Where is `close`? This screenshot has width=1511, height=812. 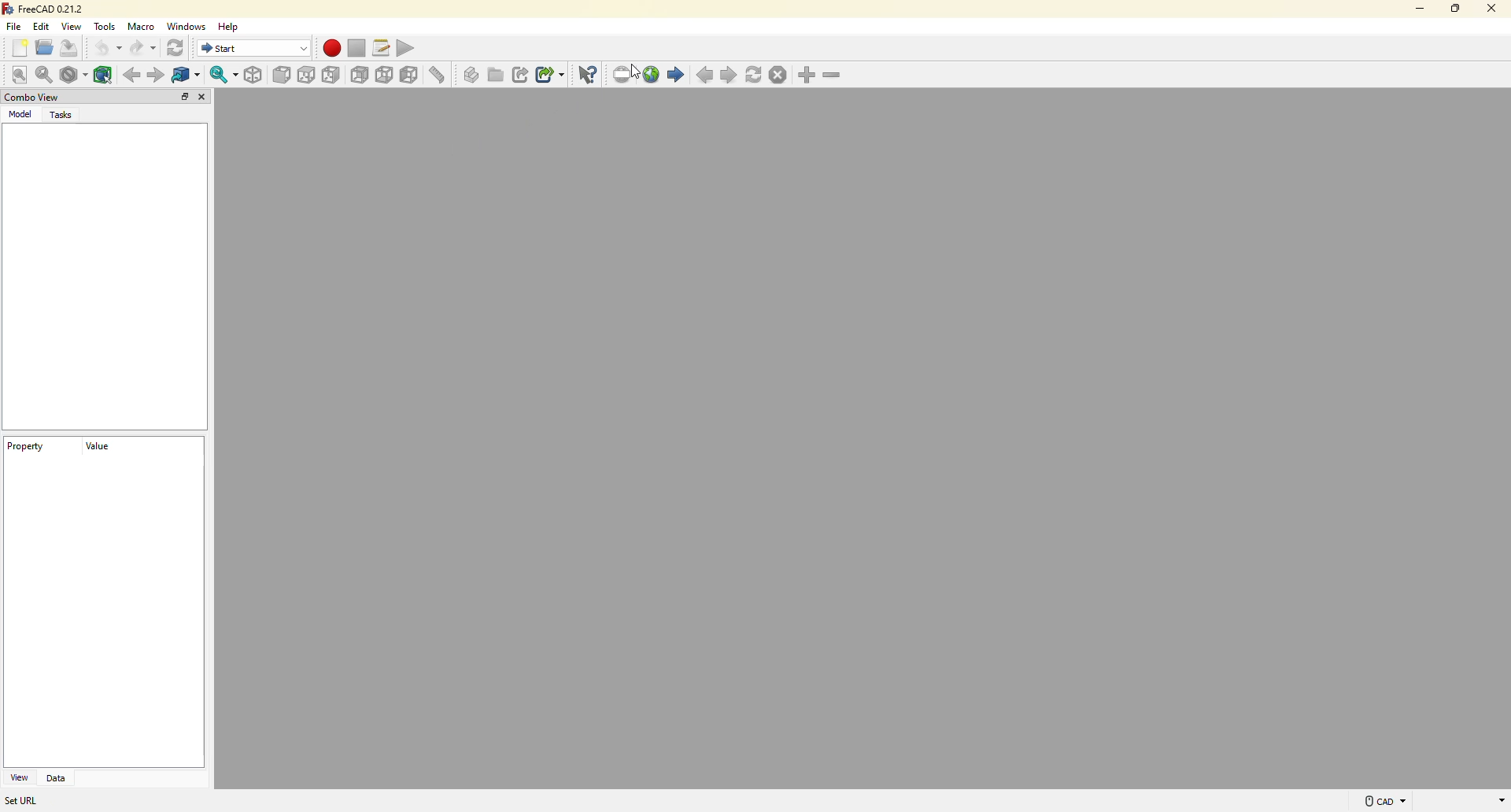 close is located at coordinates (1490, 8).